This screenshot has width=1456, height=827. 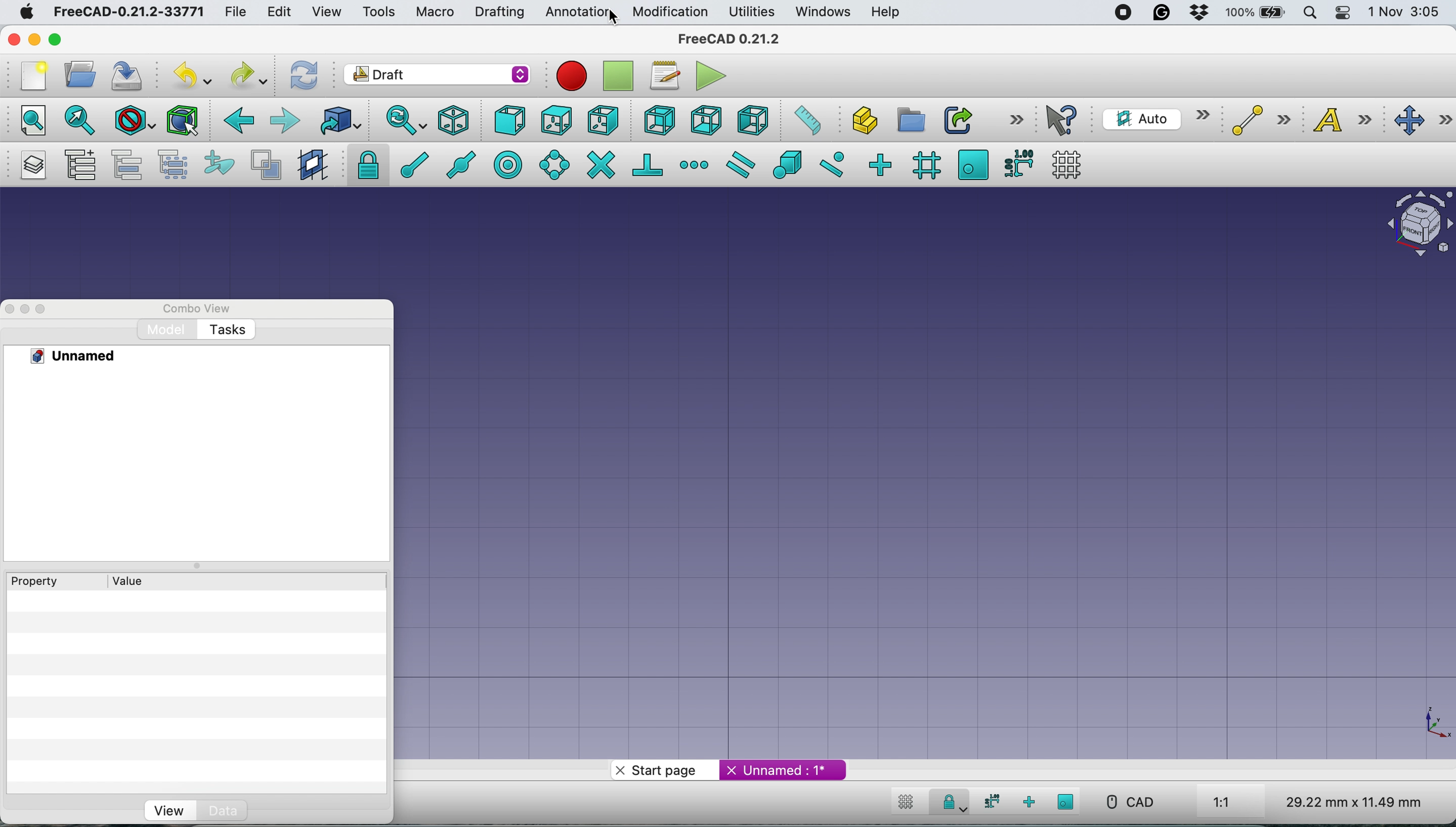 I want to click on spotlight search, so click(x=1308, y=12).